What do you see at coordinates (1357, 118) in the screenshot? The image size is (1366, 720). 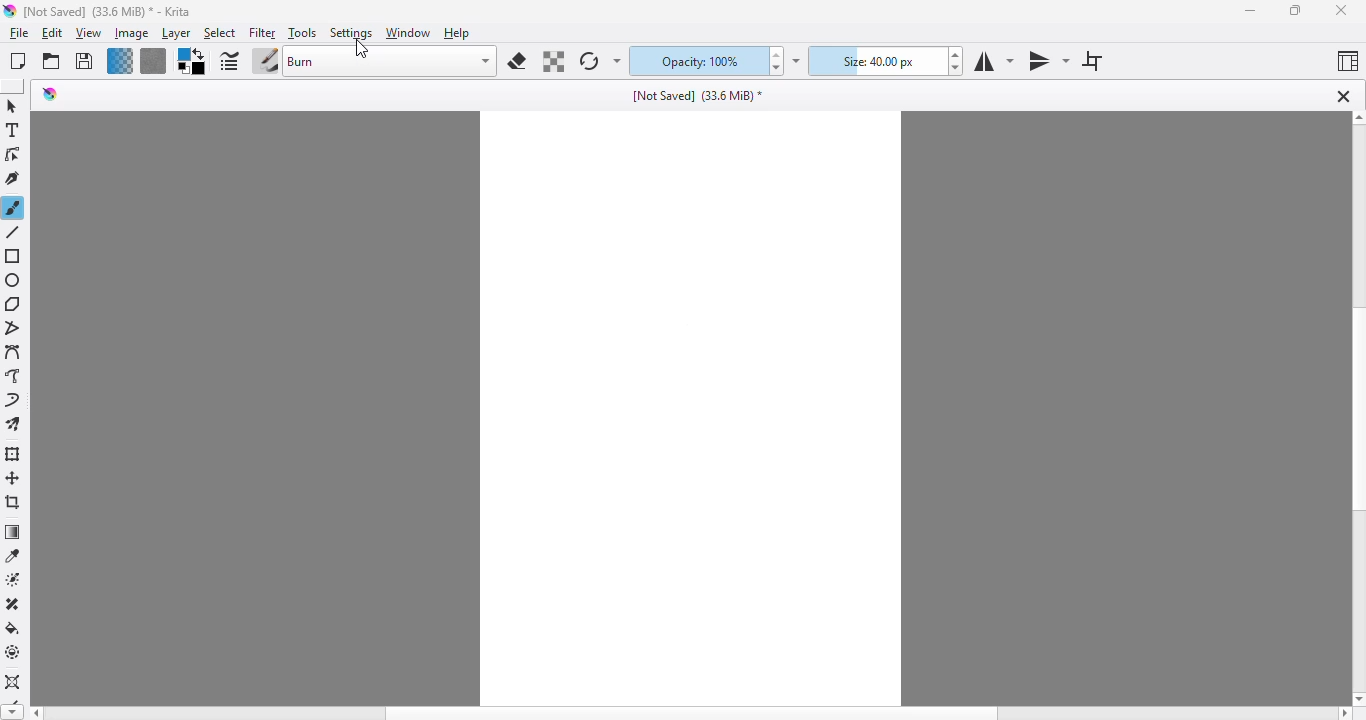 I see `scroll up` at bounding box center [1357, 118].